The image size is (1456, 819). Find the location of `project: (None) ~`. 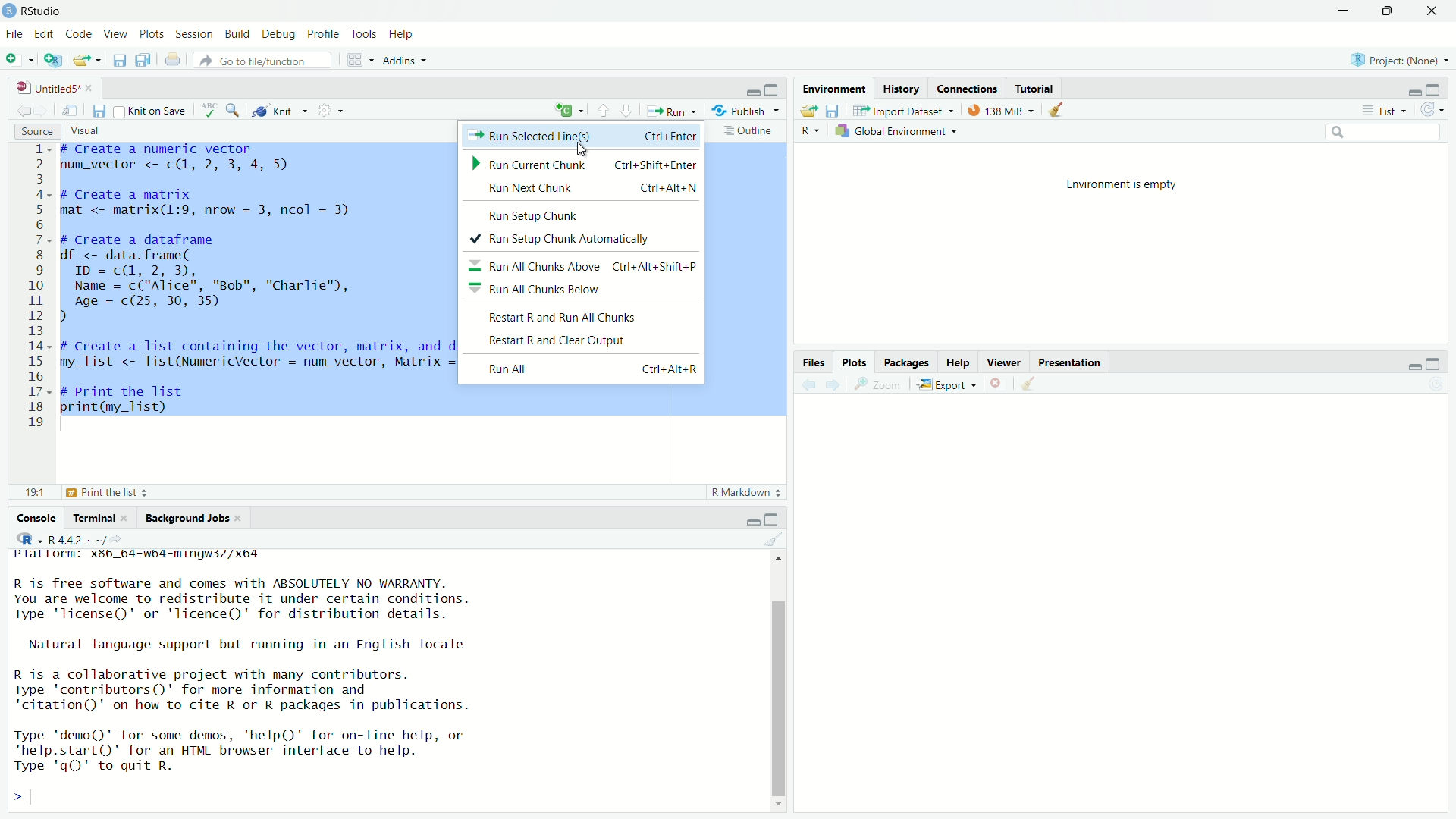

project: (None) ~ is located at coordinates (1398, 60).